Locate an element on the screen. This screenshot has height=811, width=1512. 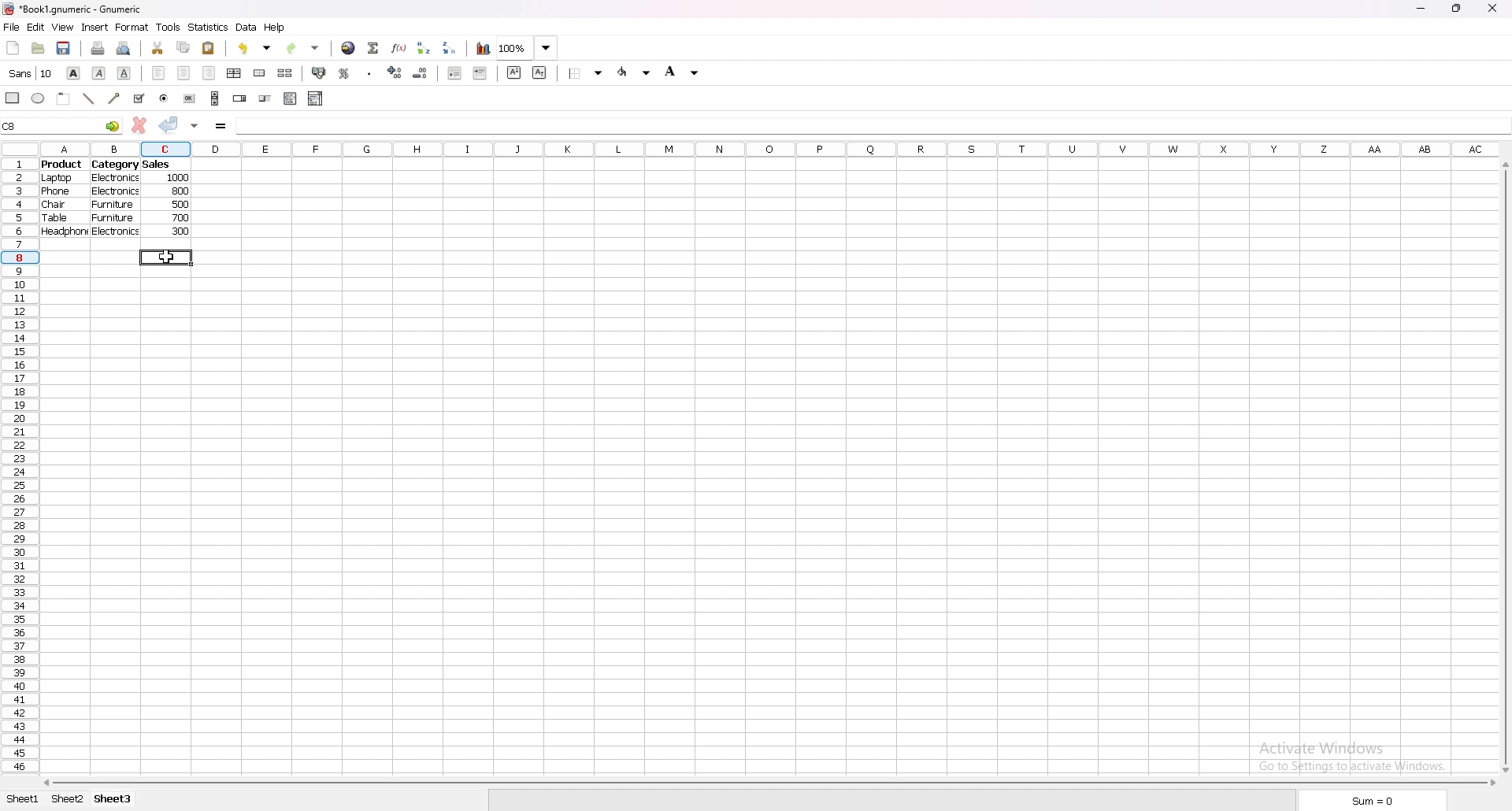
sales is located at coordinates (157, 164).